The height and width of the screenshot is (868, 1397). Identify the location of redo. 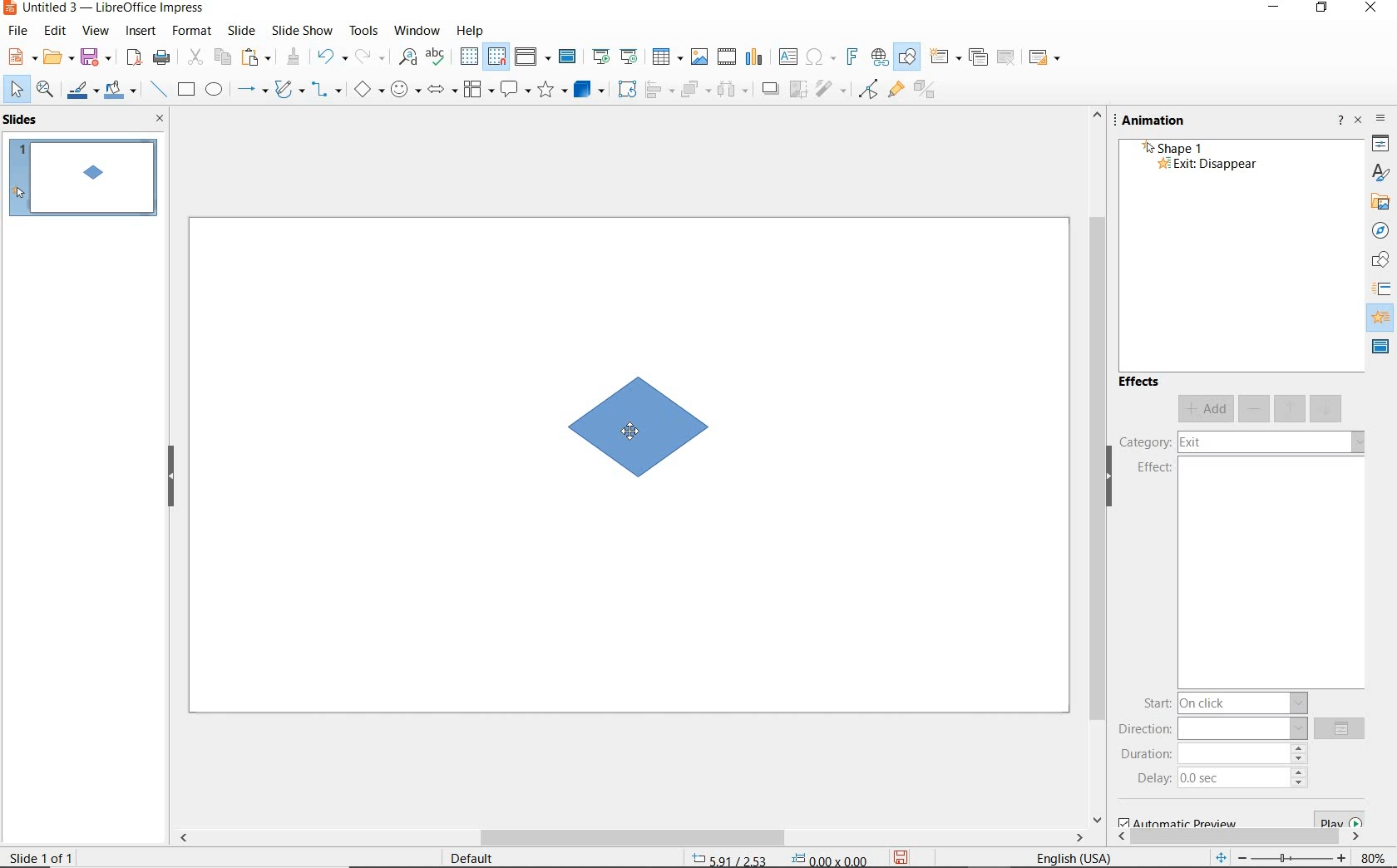
(369, 57).